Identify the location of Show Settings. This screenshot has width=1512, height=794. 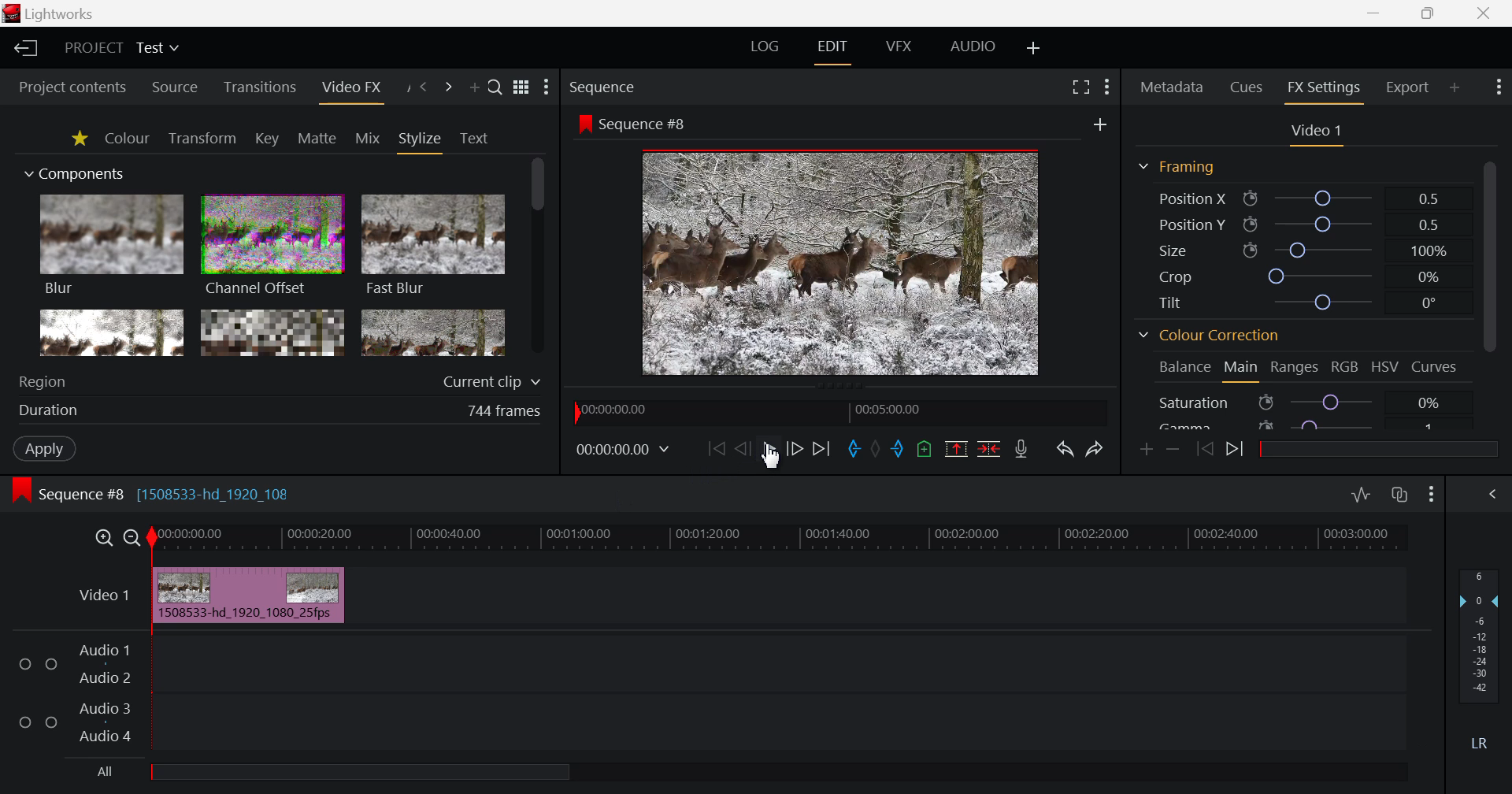
(547, 87).